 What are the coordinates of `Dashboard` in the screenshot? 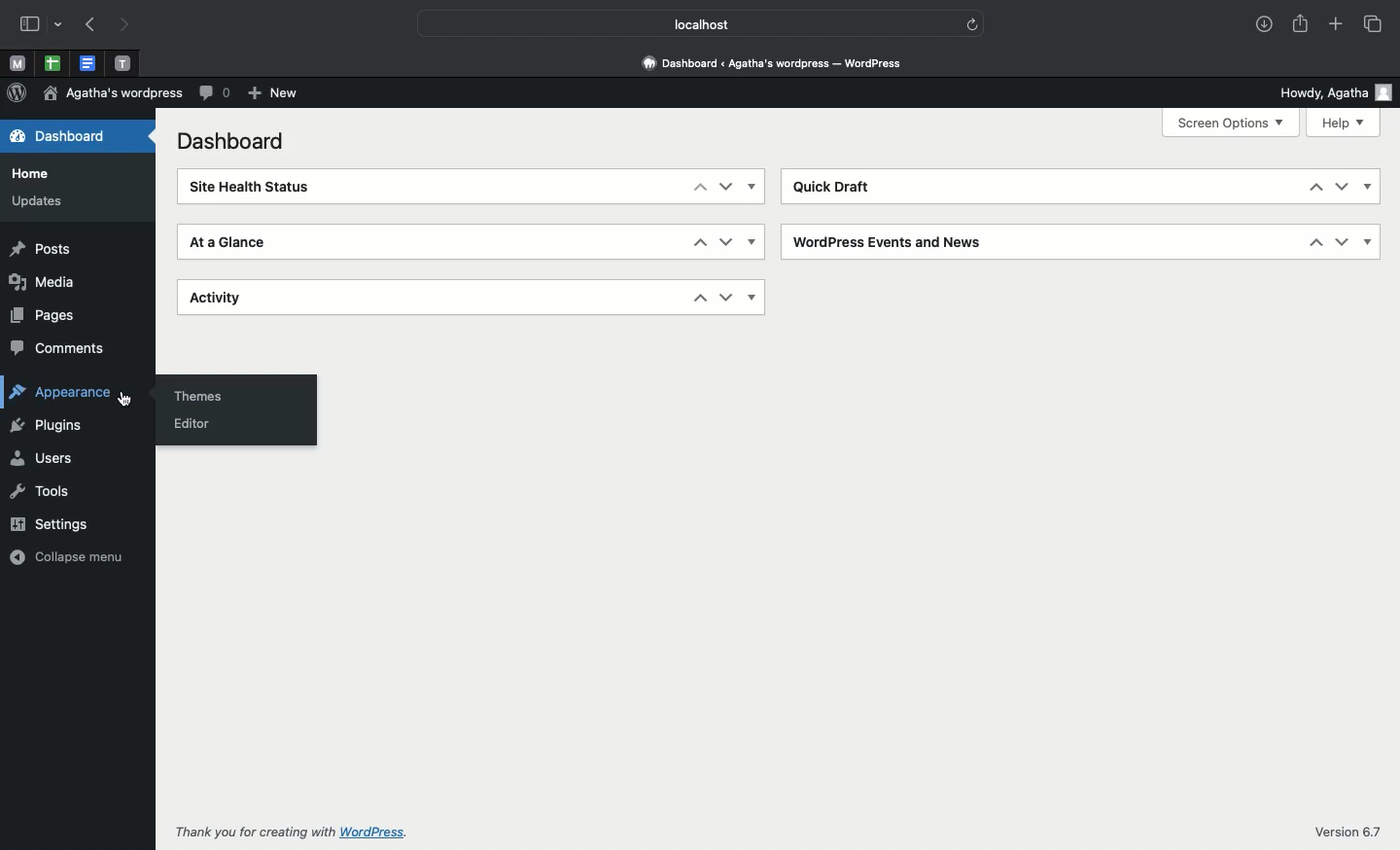 It's located at (69, 135).